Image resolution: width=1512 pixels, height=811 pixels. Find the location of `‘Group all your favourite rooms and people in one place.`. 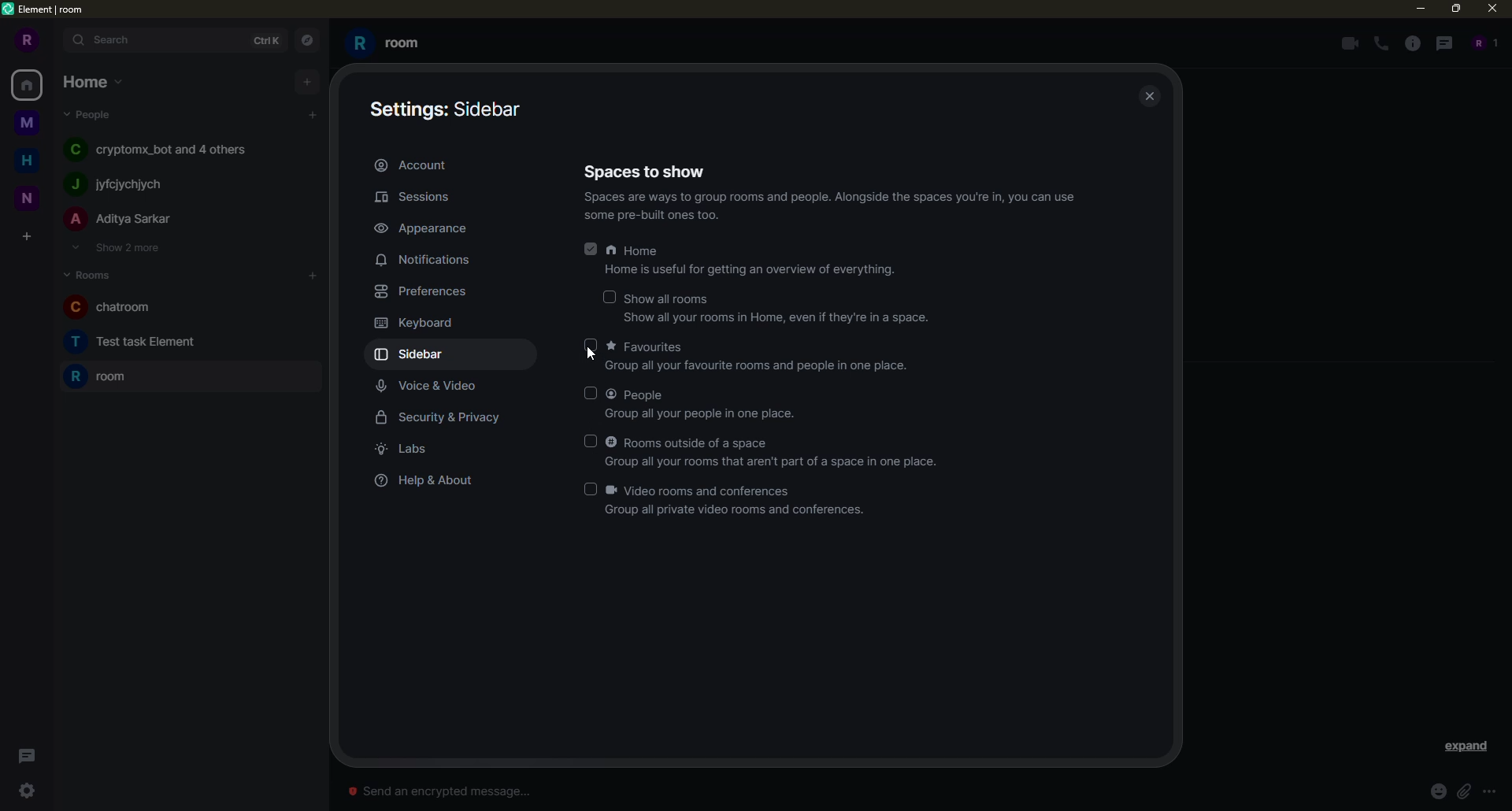

‘Group all your favourite rooms and people in one place. is located at coordinates (746, 369).